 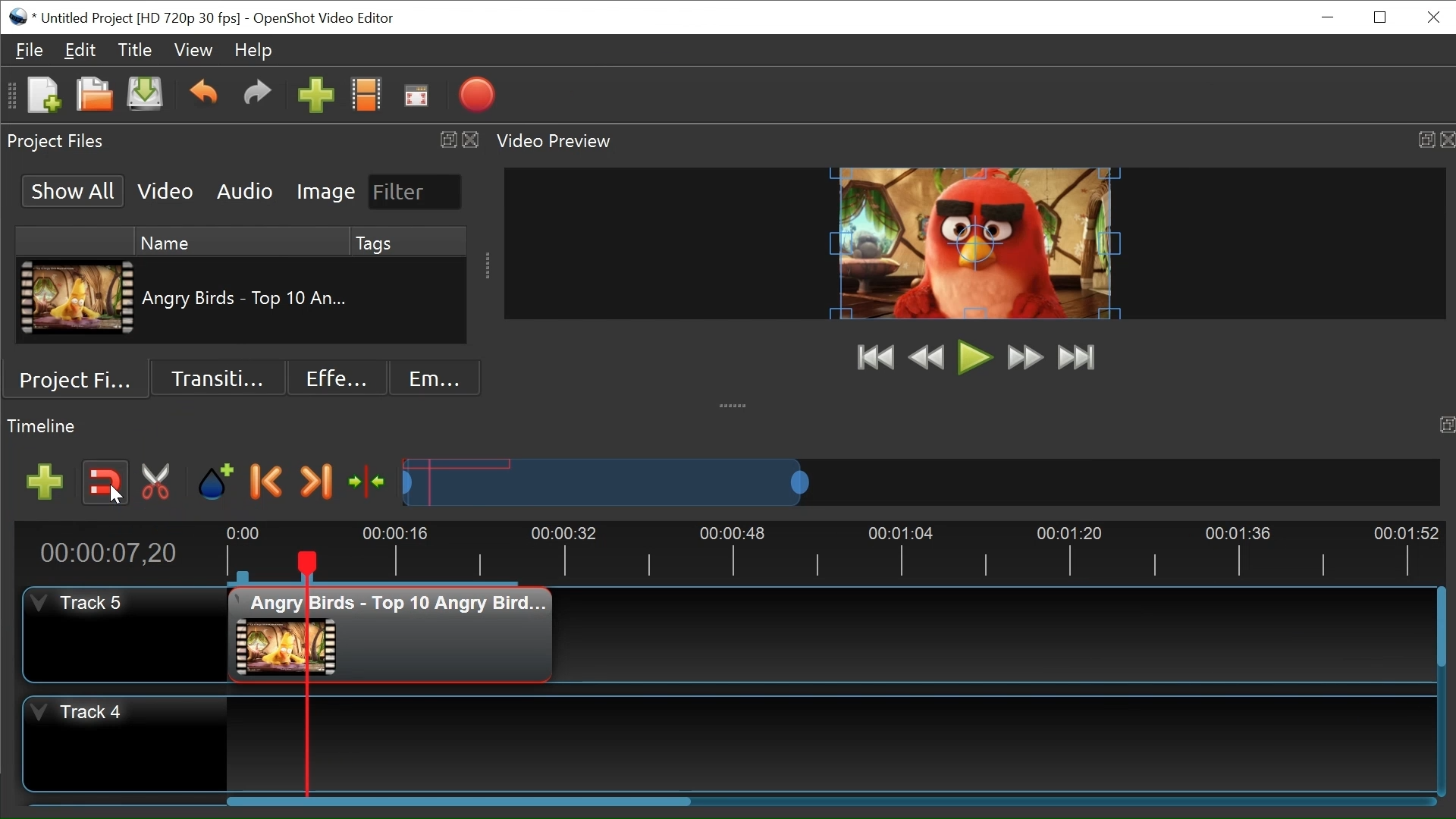 What do you see at coordinates (416, 192) in the screenshot?
I see `Filter` at bounding box center [416, 192].